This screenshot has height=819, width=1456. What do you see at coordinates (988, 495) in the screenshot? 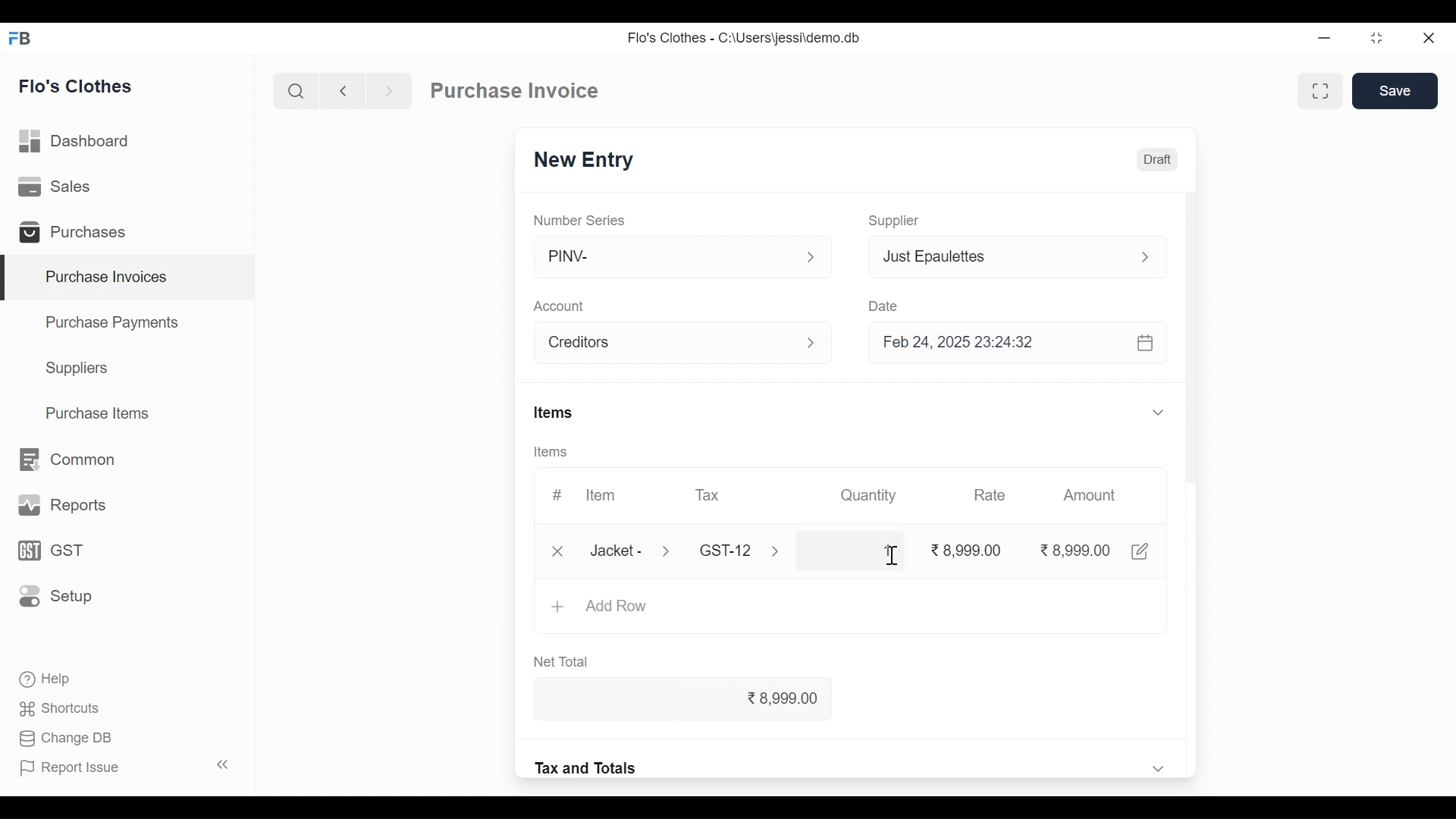
I see `Rate` at bounding box center [988, 495].